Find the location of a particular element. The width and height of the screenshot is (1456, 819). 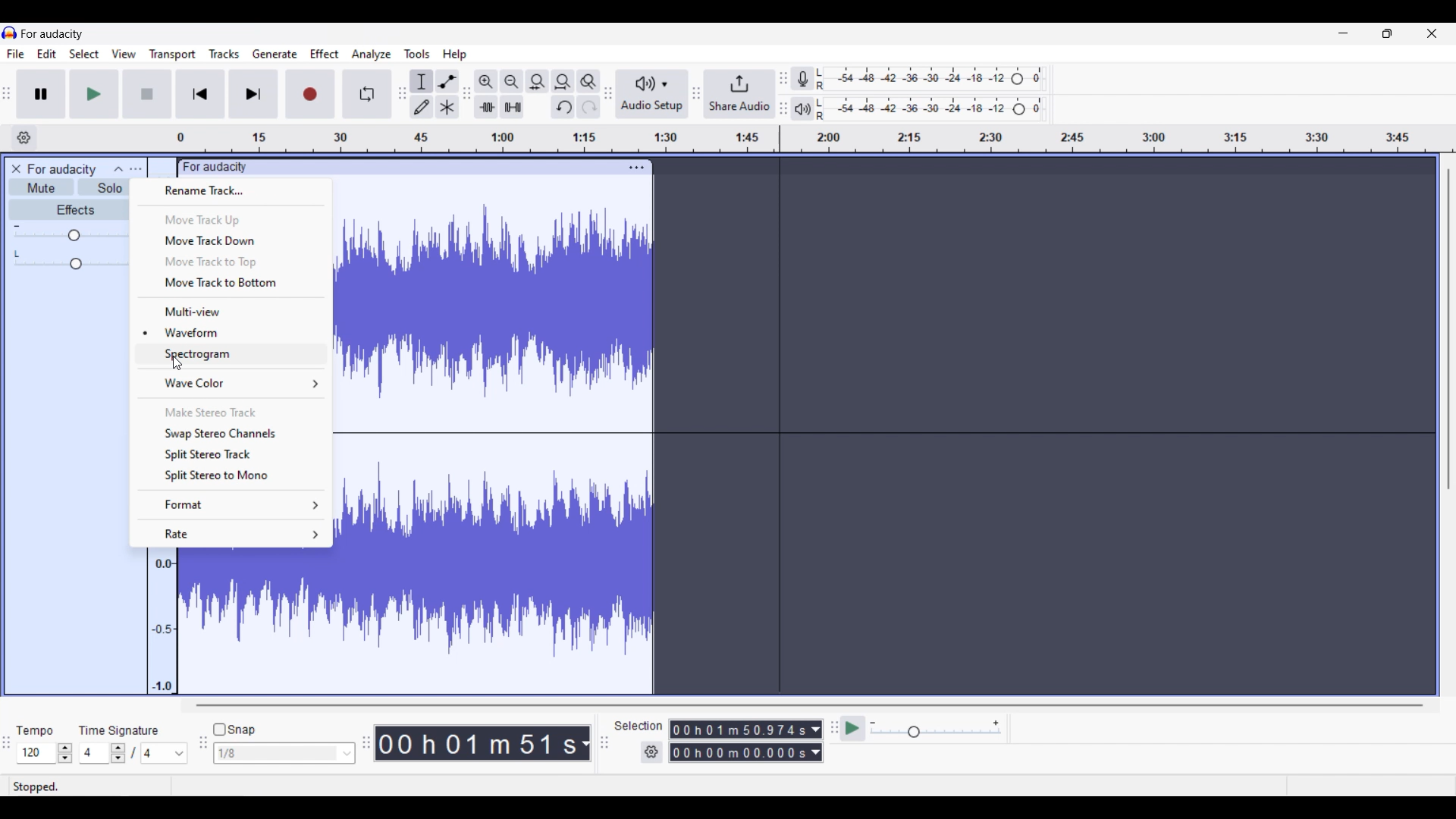

Horizontal slide bar is located at coordinates (808, 704).